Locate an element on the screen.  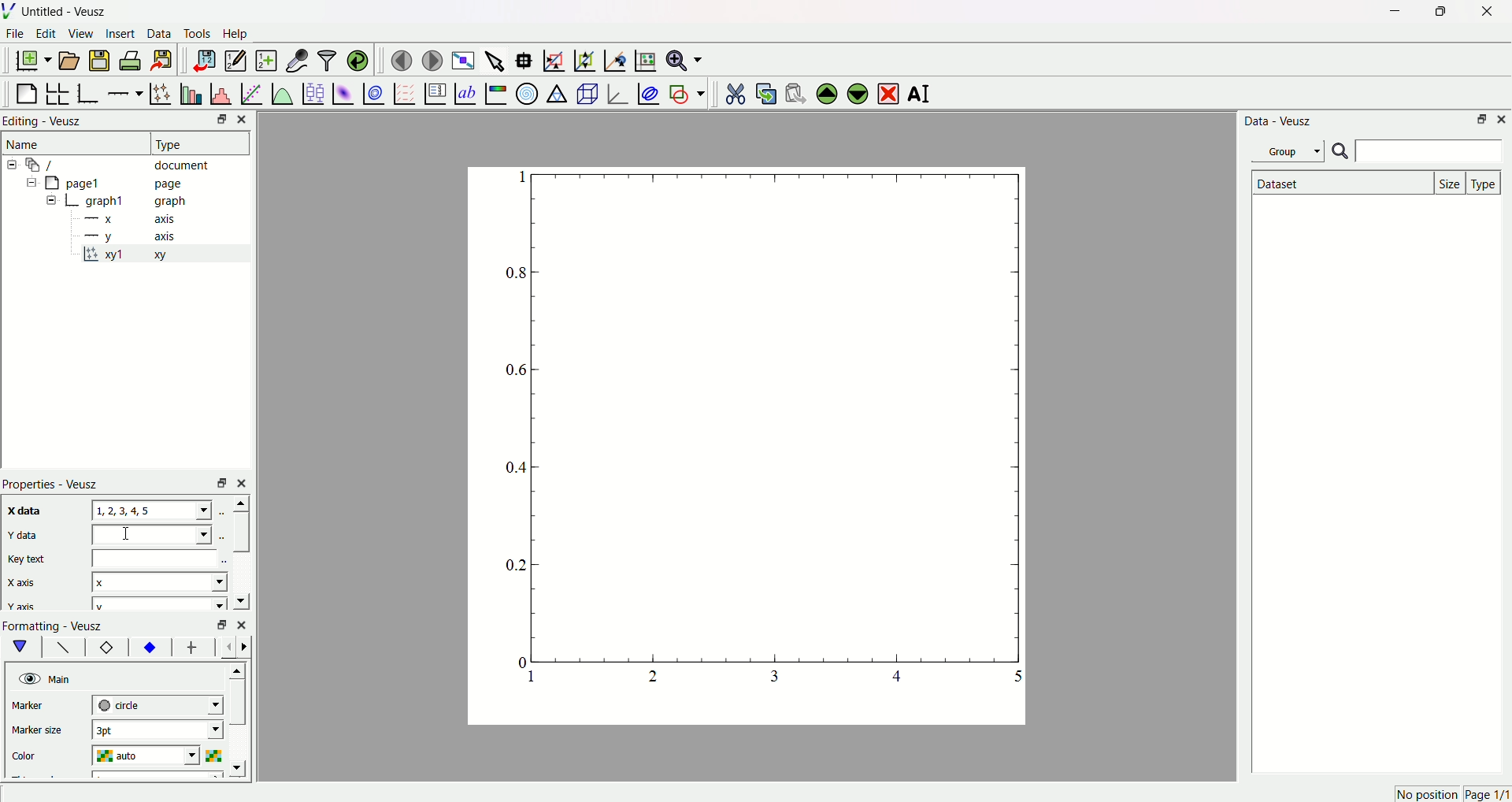
Editing - Veusz is located at coordinates (46, 122).